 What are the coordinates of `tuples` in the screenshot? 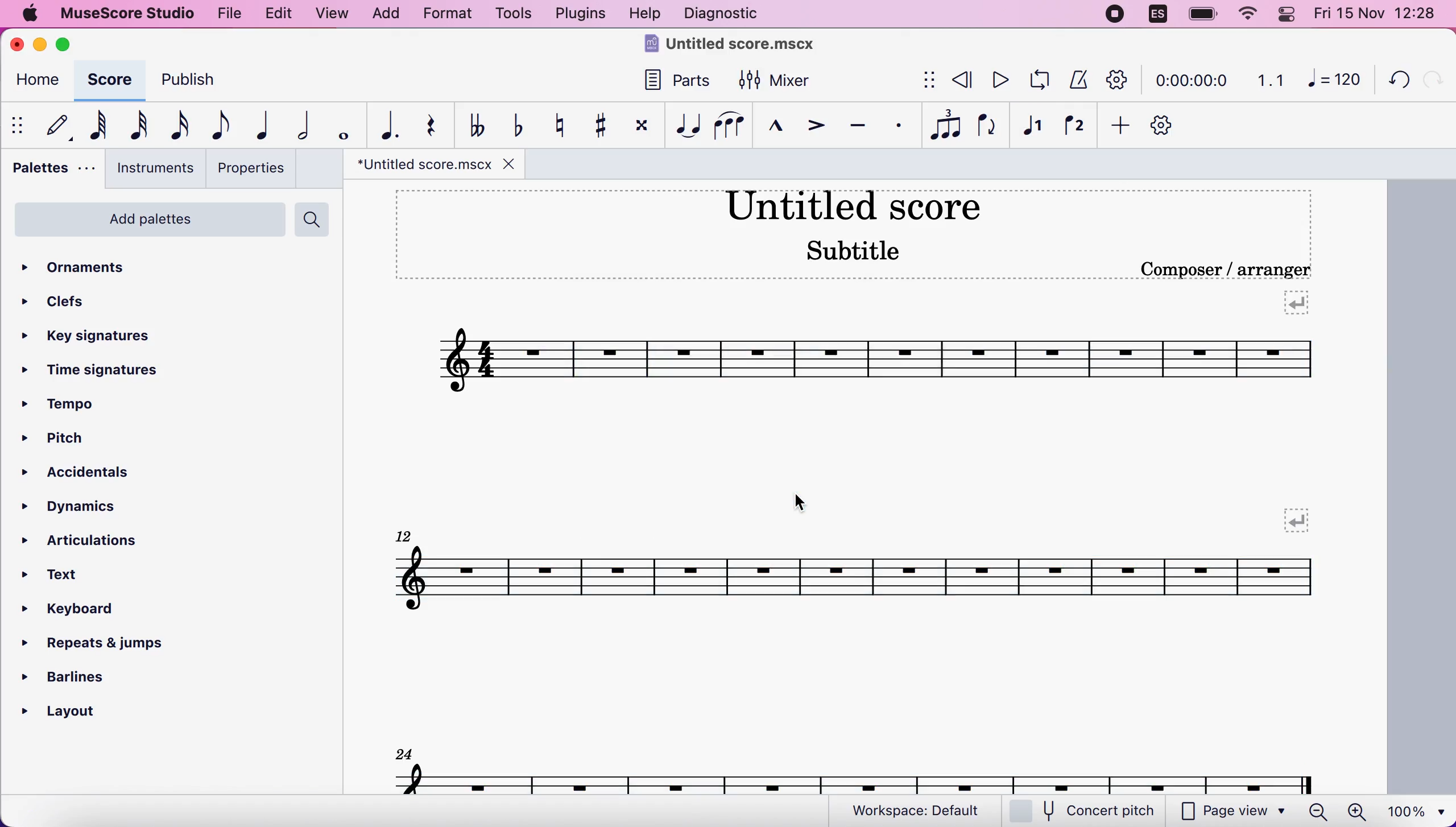 It's located at (946, 126).